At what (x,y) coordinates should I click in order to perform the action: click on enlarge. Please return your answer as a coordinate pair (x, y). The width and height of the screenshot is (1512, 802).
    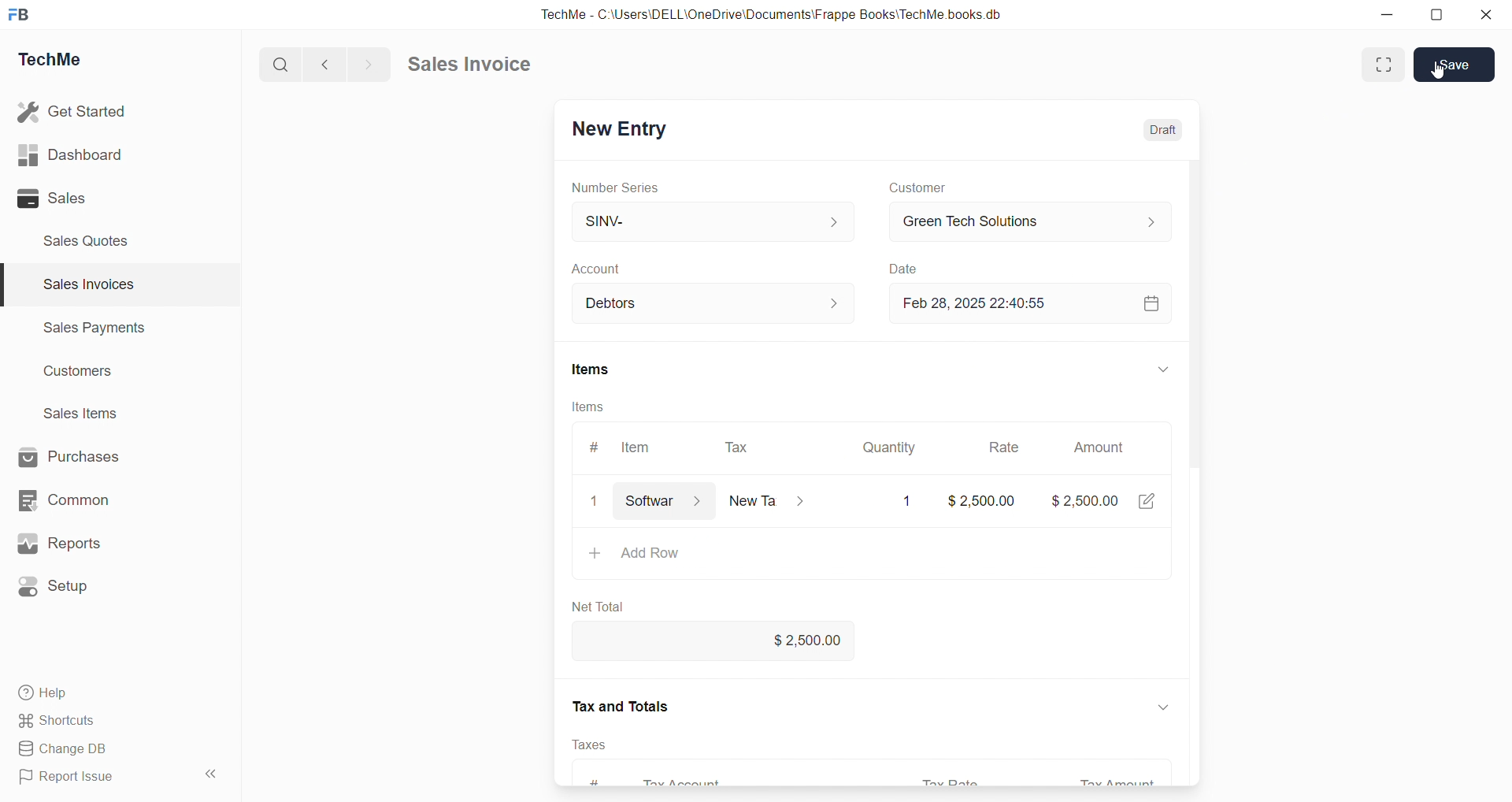
    Looking at the image, I should click on (1384, 65).